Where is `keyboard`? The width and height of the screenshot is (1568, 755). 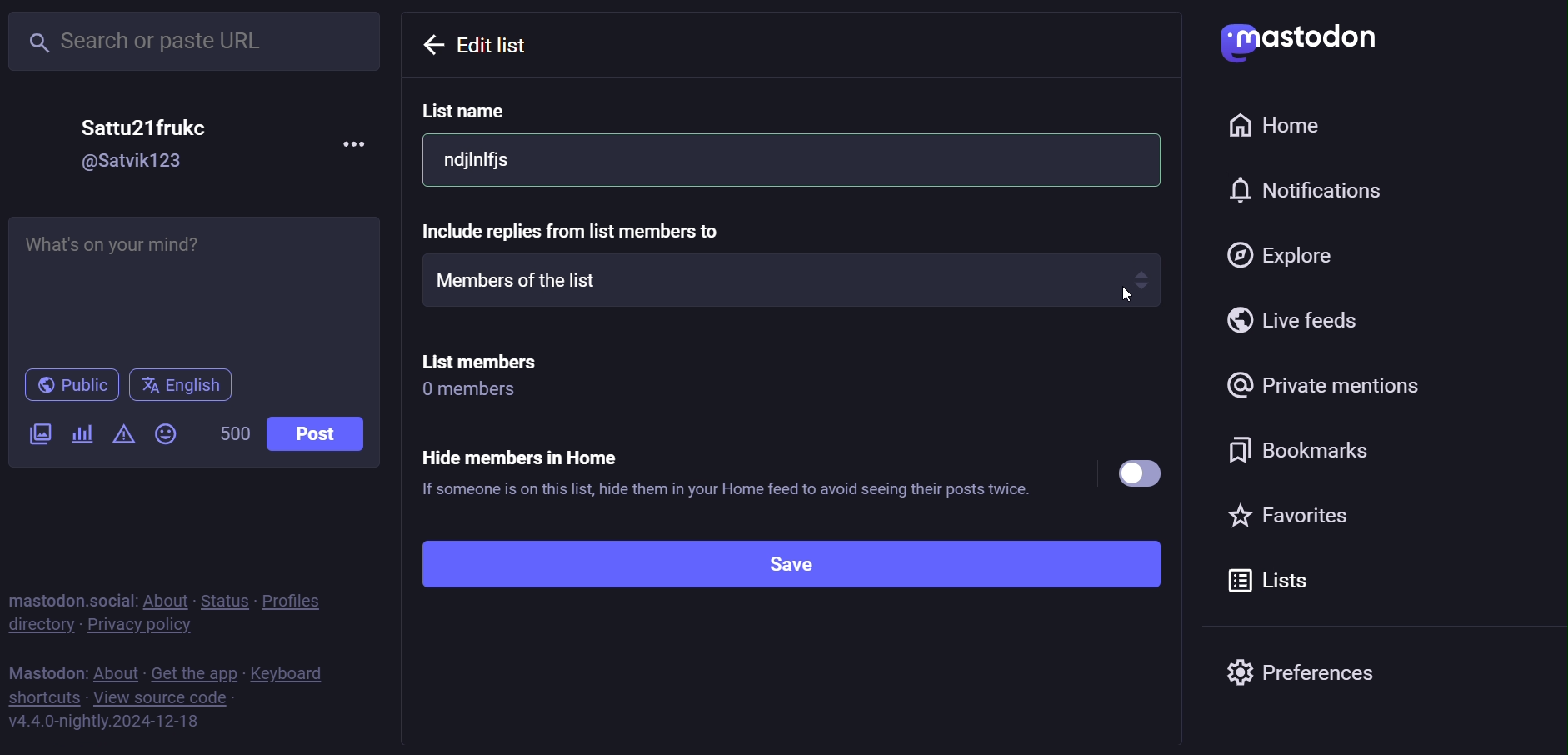
keyboard is located at coordinates (294, 673).